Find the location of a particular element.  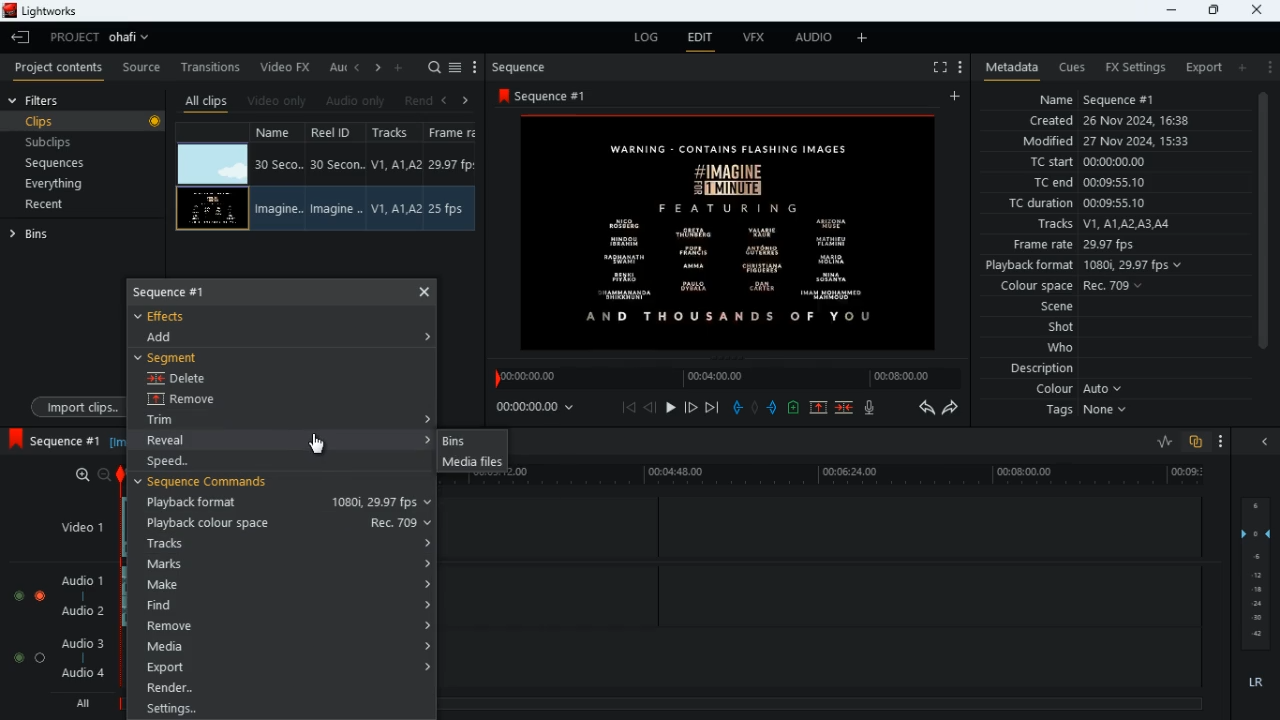

toggle is located at coordinates (18, 597).